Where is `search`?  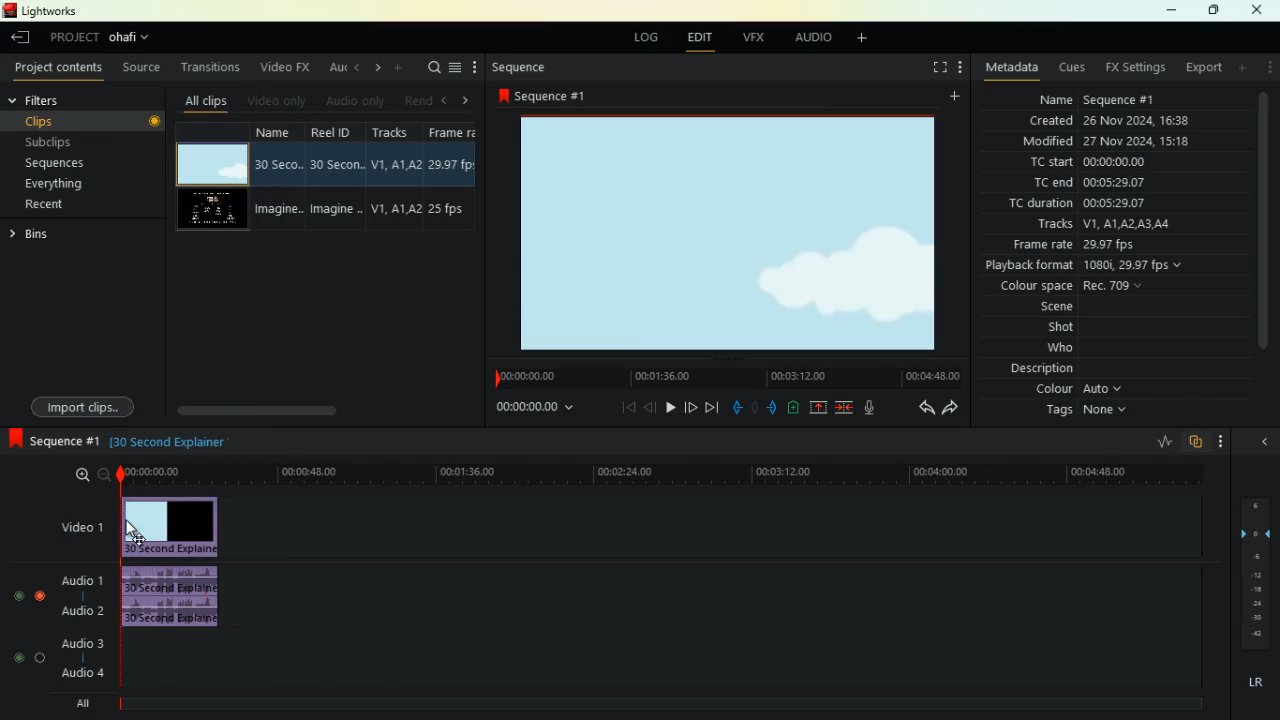 search is located at coordinates (431, 69).